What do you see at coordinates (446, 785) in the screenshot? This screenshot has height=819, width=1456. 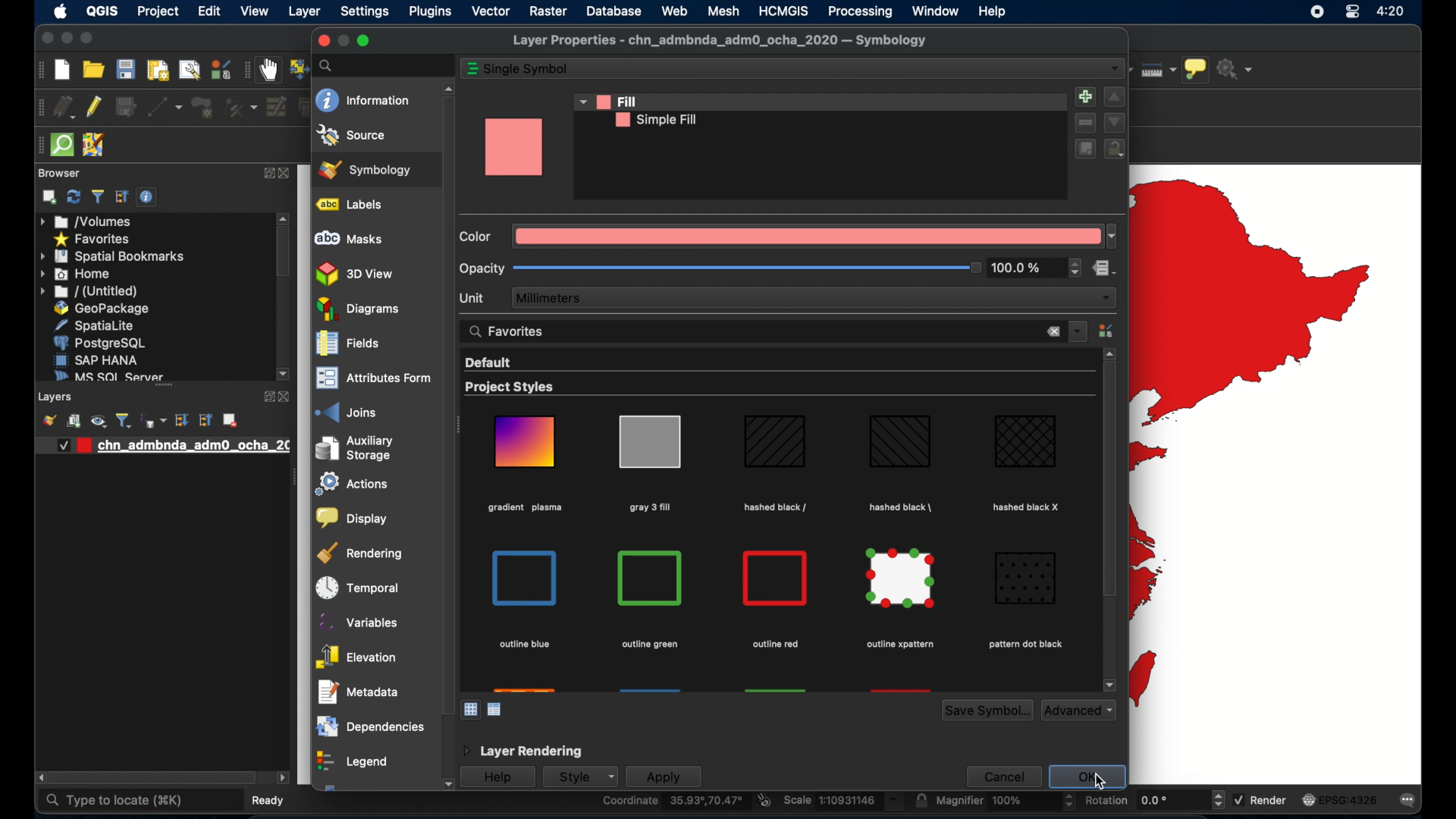 I see `scroll down arrow` at bounding box center [446, 785].